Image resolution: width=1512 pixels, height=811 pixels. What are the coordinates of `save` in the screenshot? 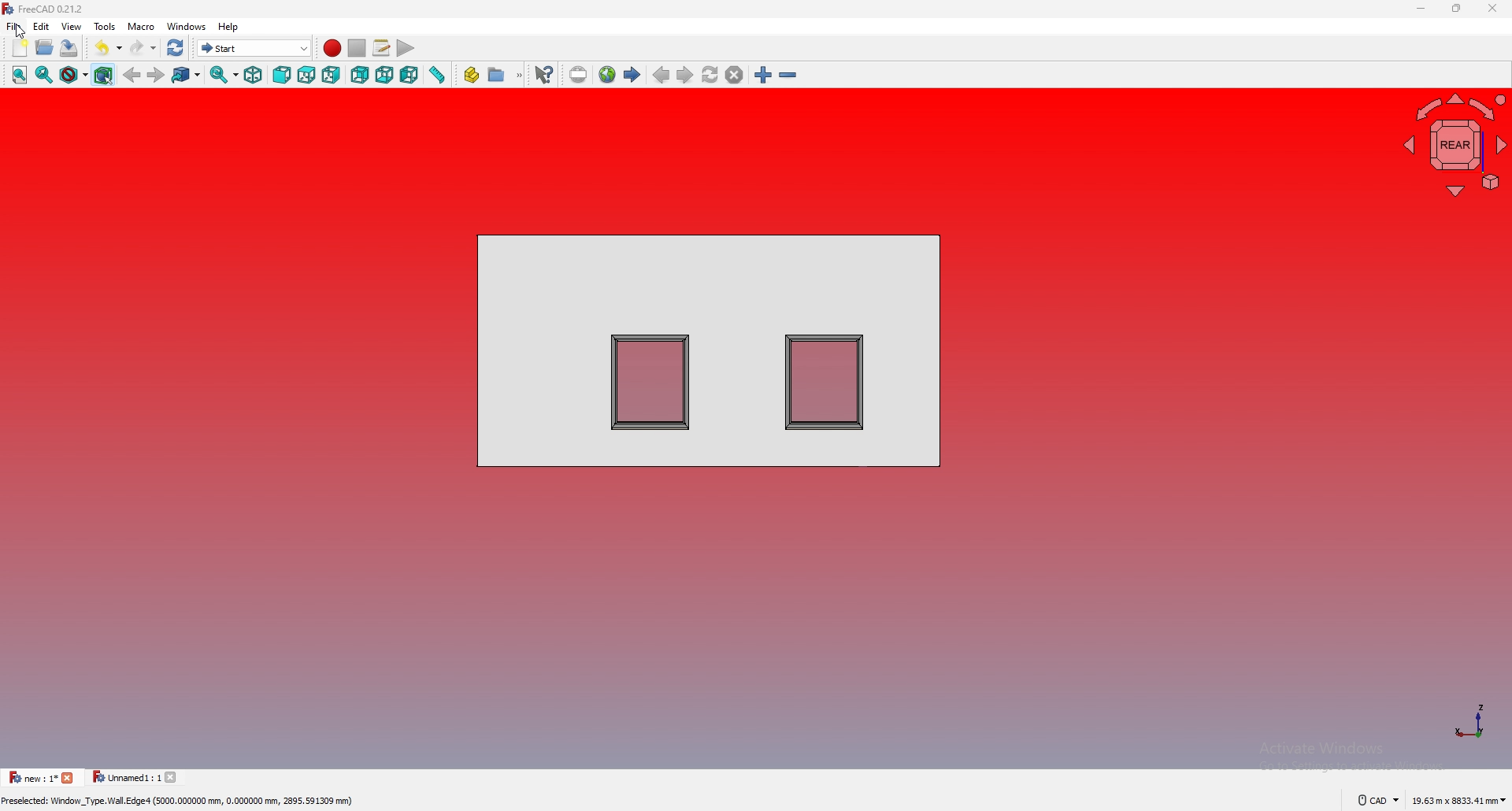 It's located at (71, 47).